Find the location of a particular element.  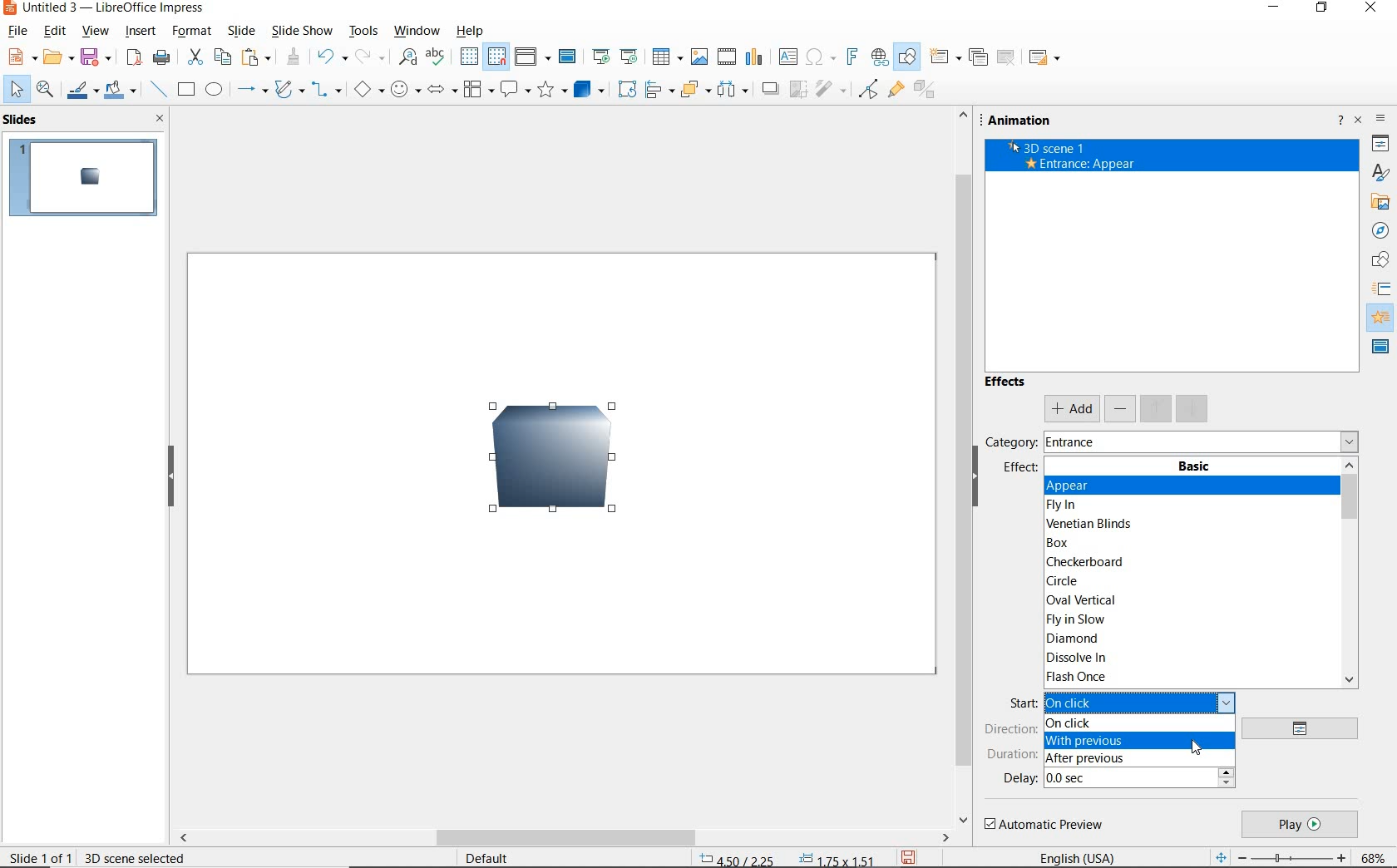

zoom factor is located at coordinates (1375, 856).